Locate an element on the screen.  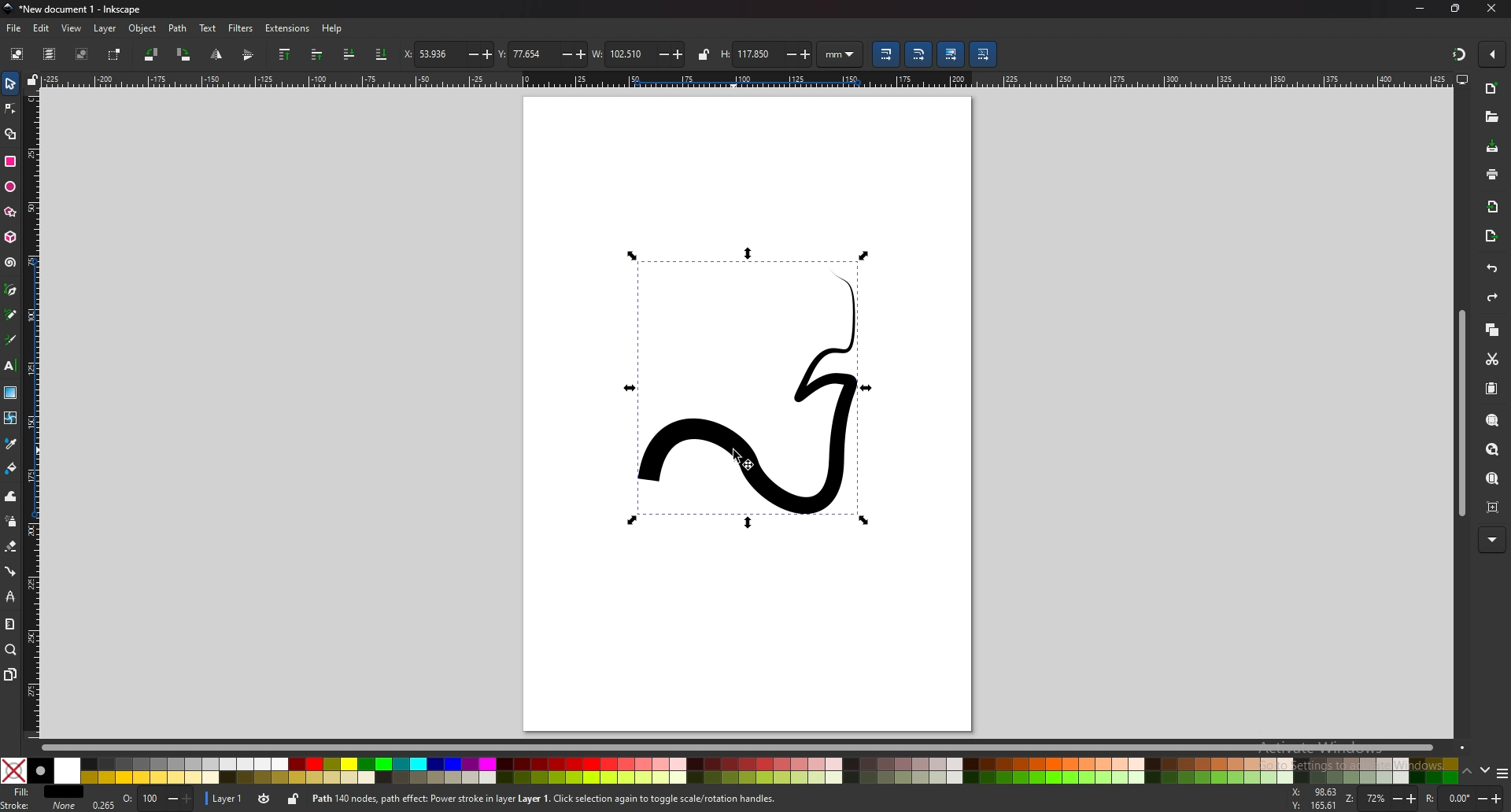
fill is located at coordinates (40, 791).